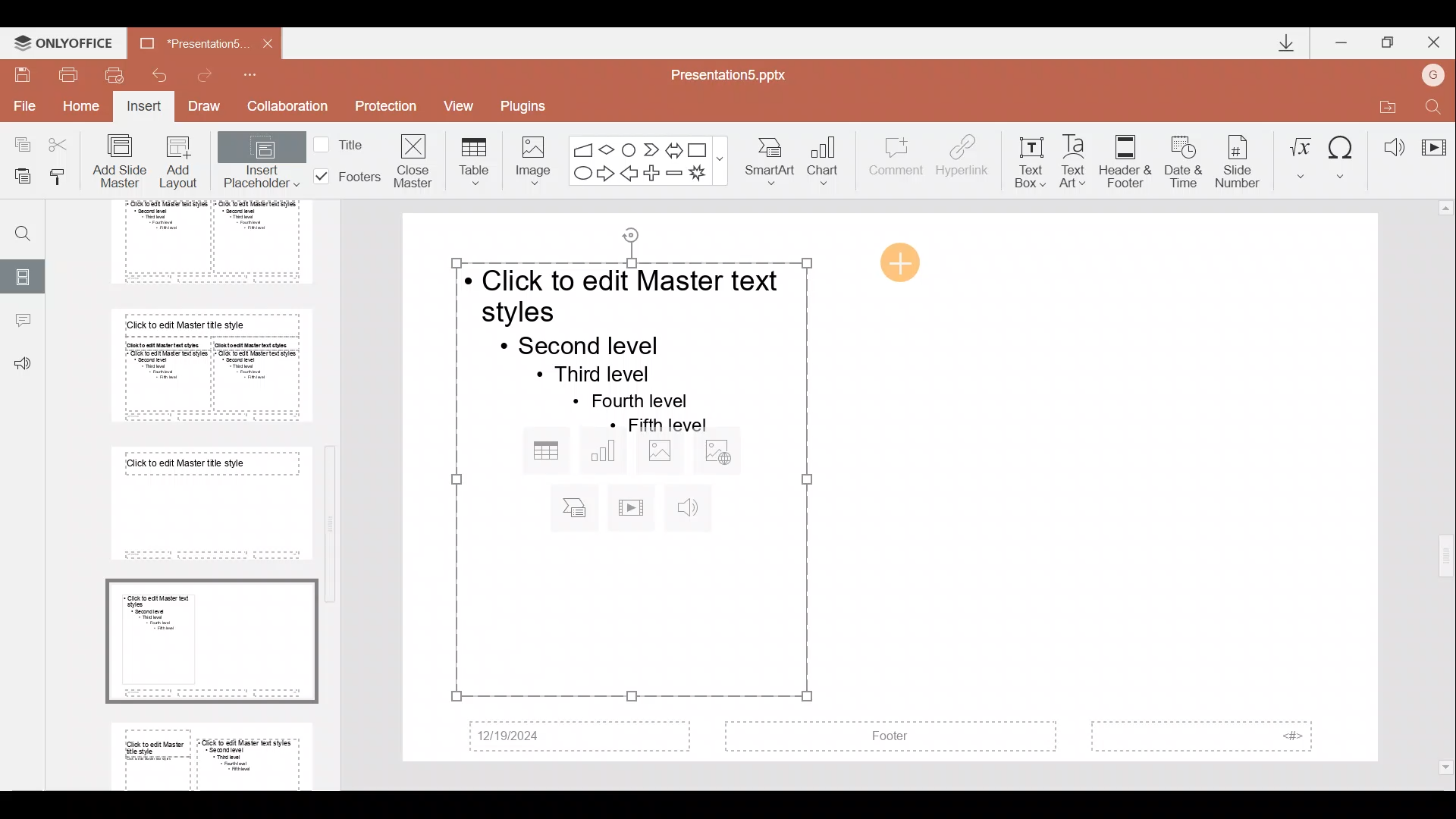 This screenshot has width=1456, height=819. Describe the element at coordinates (343, 143) in the screenshot. I see `Title` at that location.